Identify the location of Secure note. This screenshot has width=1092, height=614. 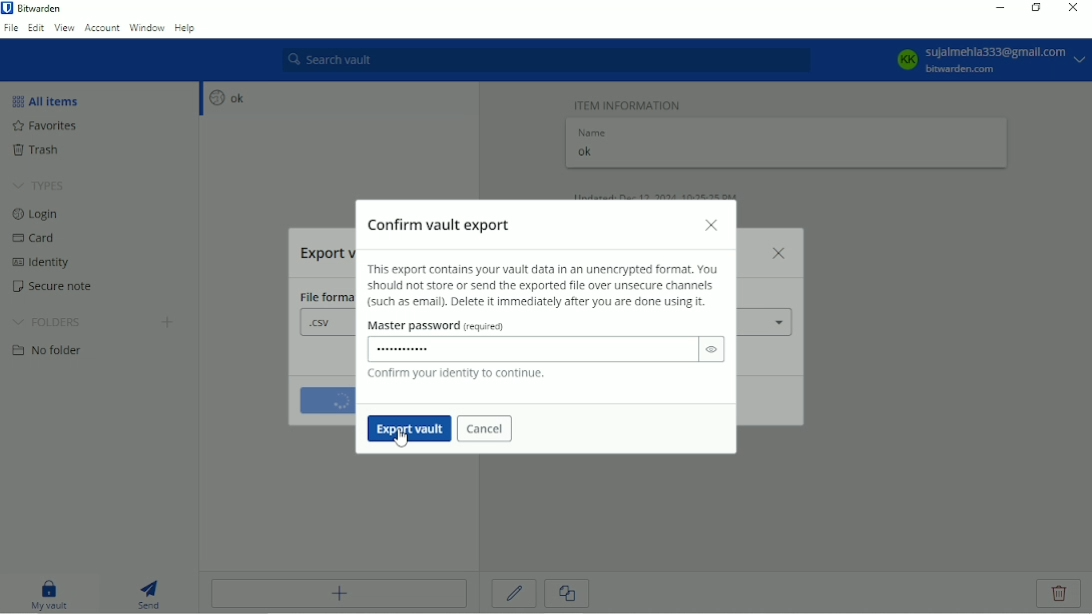
(62, 289).